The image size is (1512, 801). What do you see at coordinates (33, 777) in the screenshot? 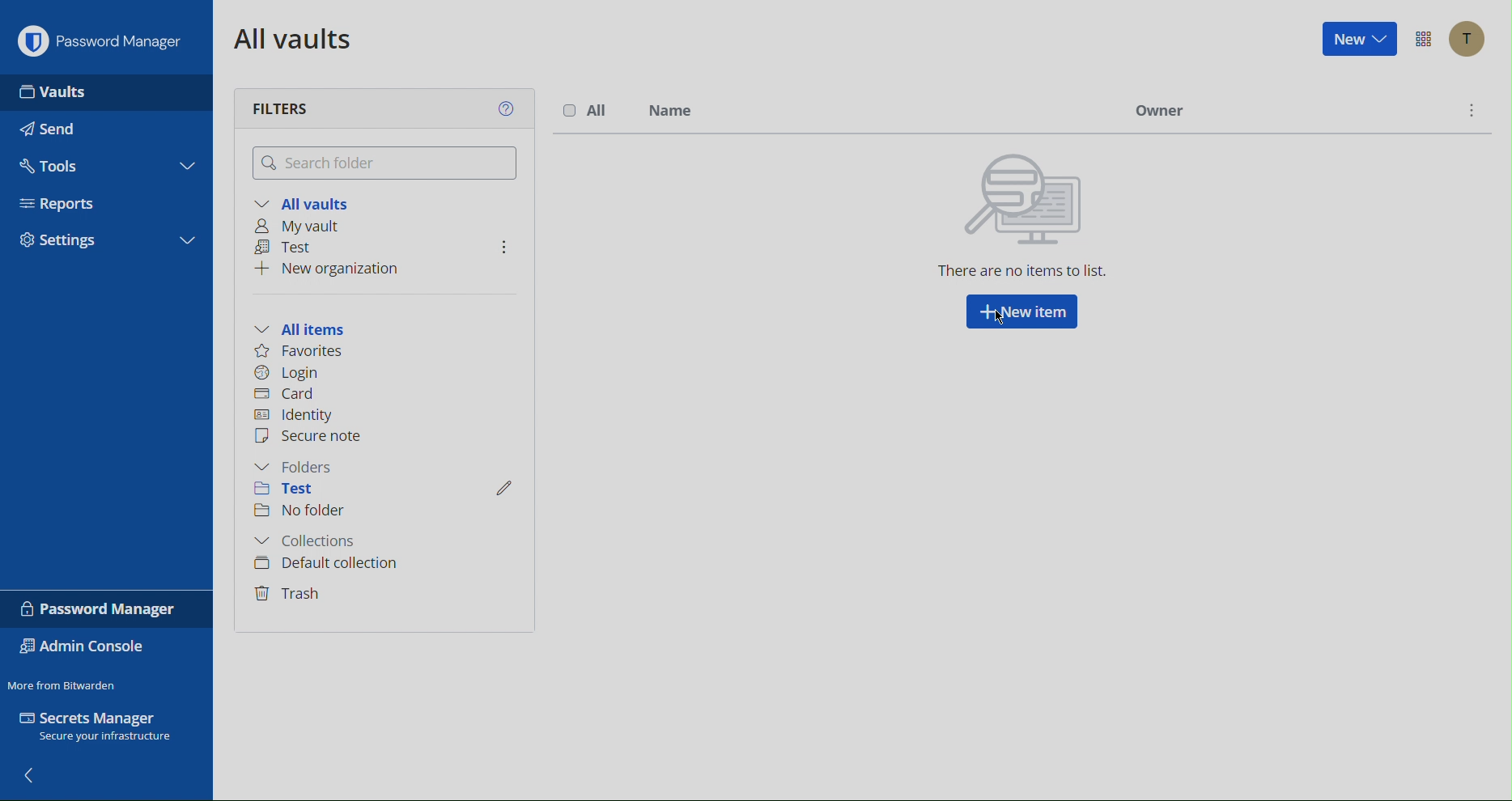
I see `Back` at bounding box center [33, 777].